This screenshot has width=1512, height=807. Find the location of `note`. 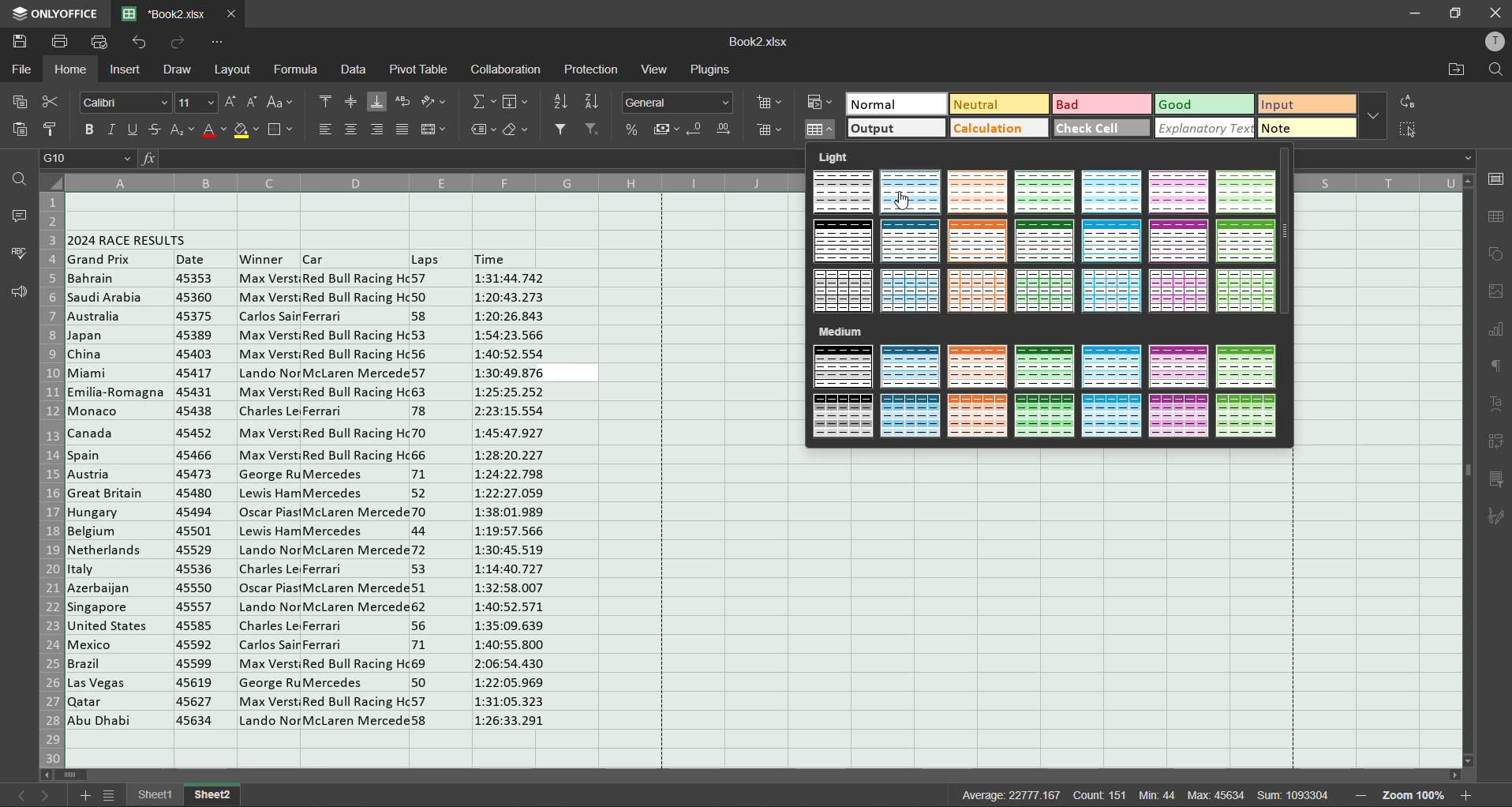

note is located at coordinates (1308, 128).